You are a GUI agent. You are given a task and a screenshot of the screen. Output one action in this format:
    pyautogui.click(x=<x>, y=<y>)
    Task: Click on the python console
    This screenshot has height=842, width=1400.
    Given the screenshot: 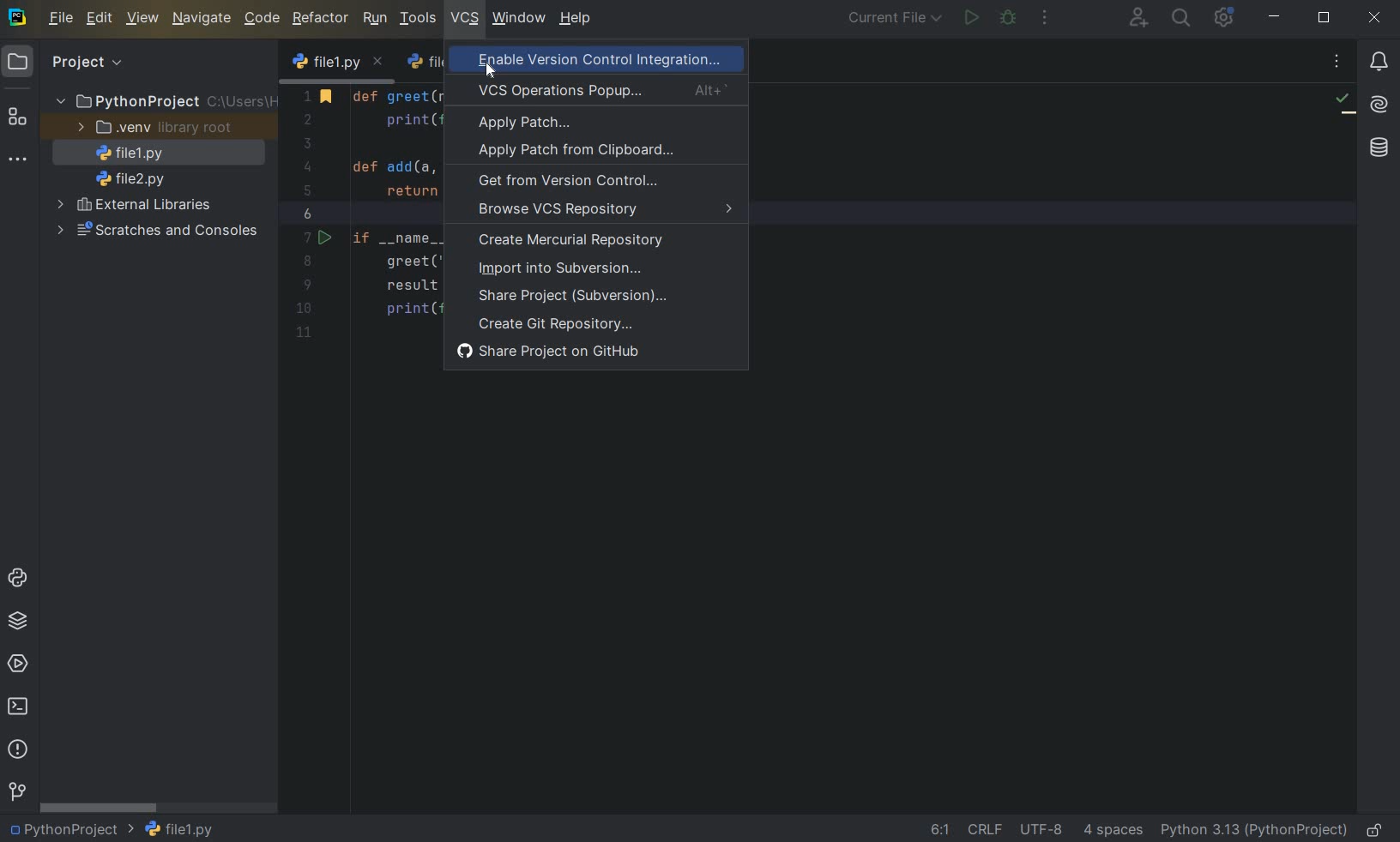 What is the action you would take?
    pyautogui.click(x=17, y=578)
    